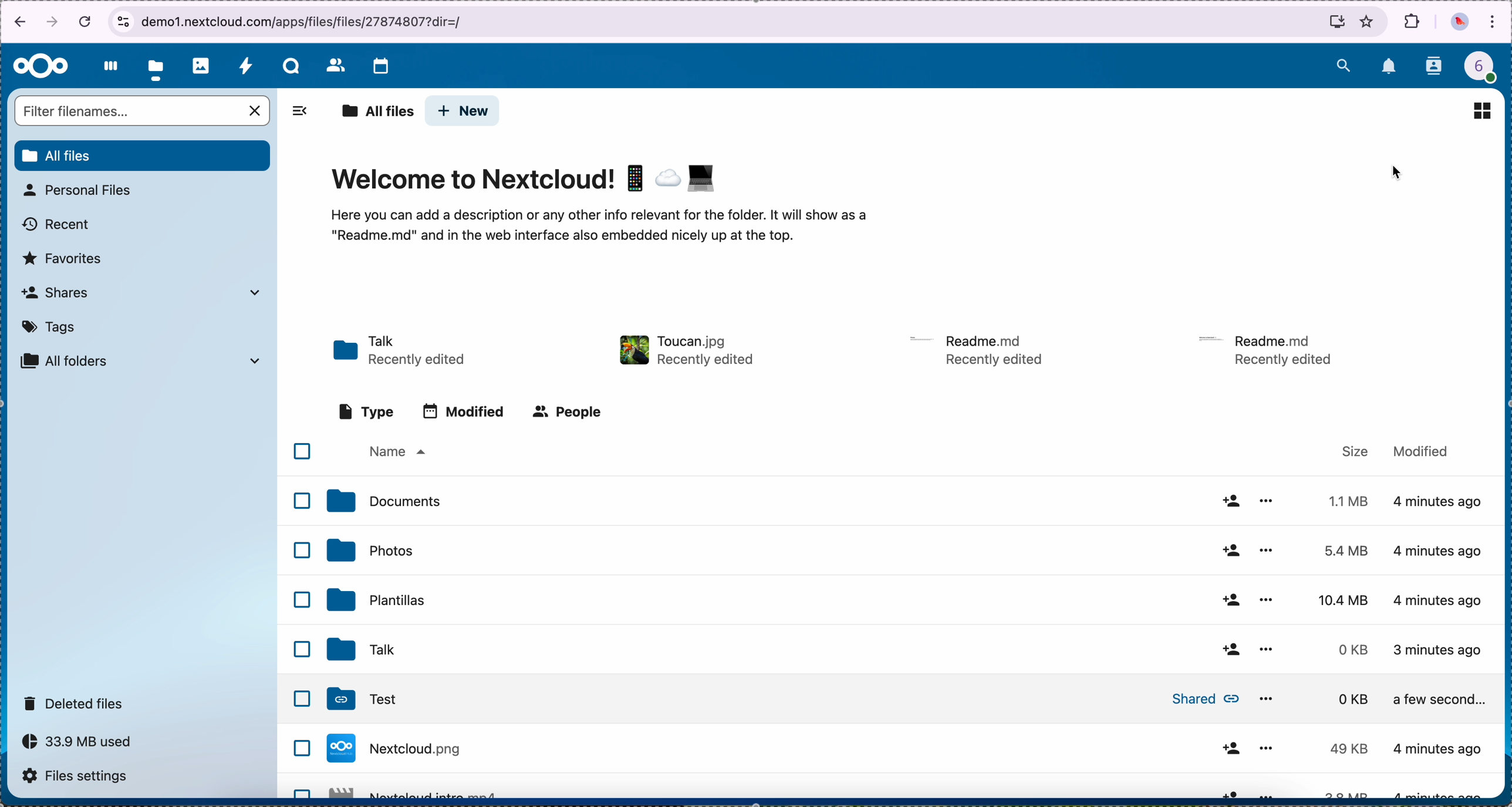  What do you see at coordinates (1337, 551) in the screenshot?
I see `5.4 MB` at bounding box center [1337, 551].